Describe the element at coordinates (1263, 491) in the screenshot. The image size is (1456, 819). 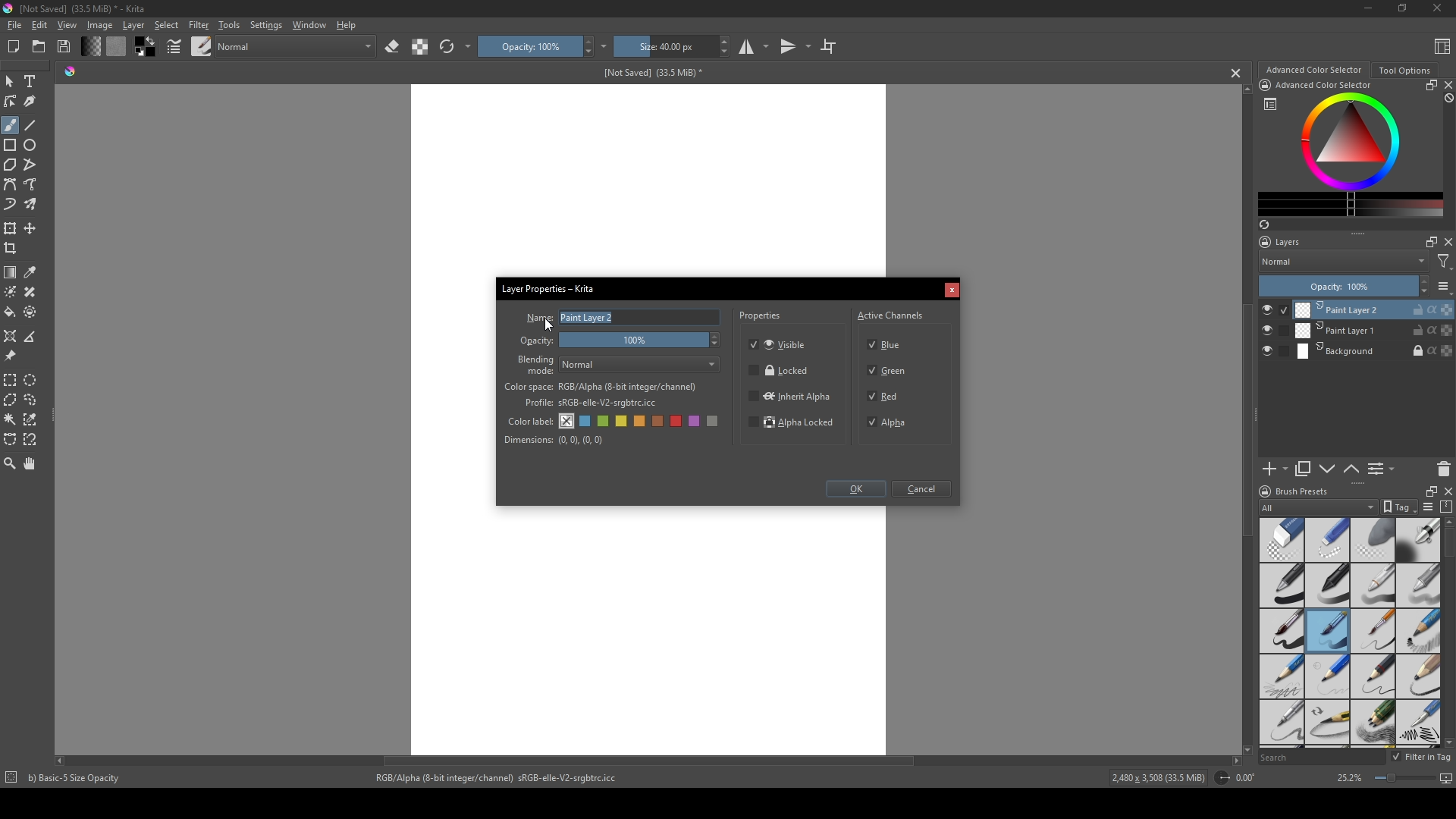
I see `logo` at that location.